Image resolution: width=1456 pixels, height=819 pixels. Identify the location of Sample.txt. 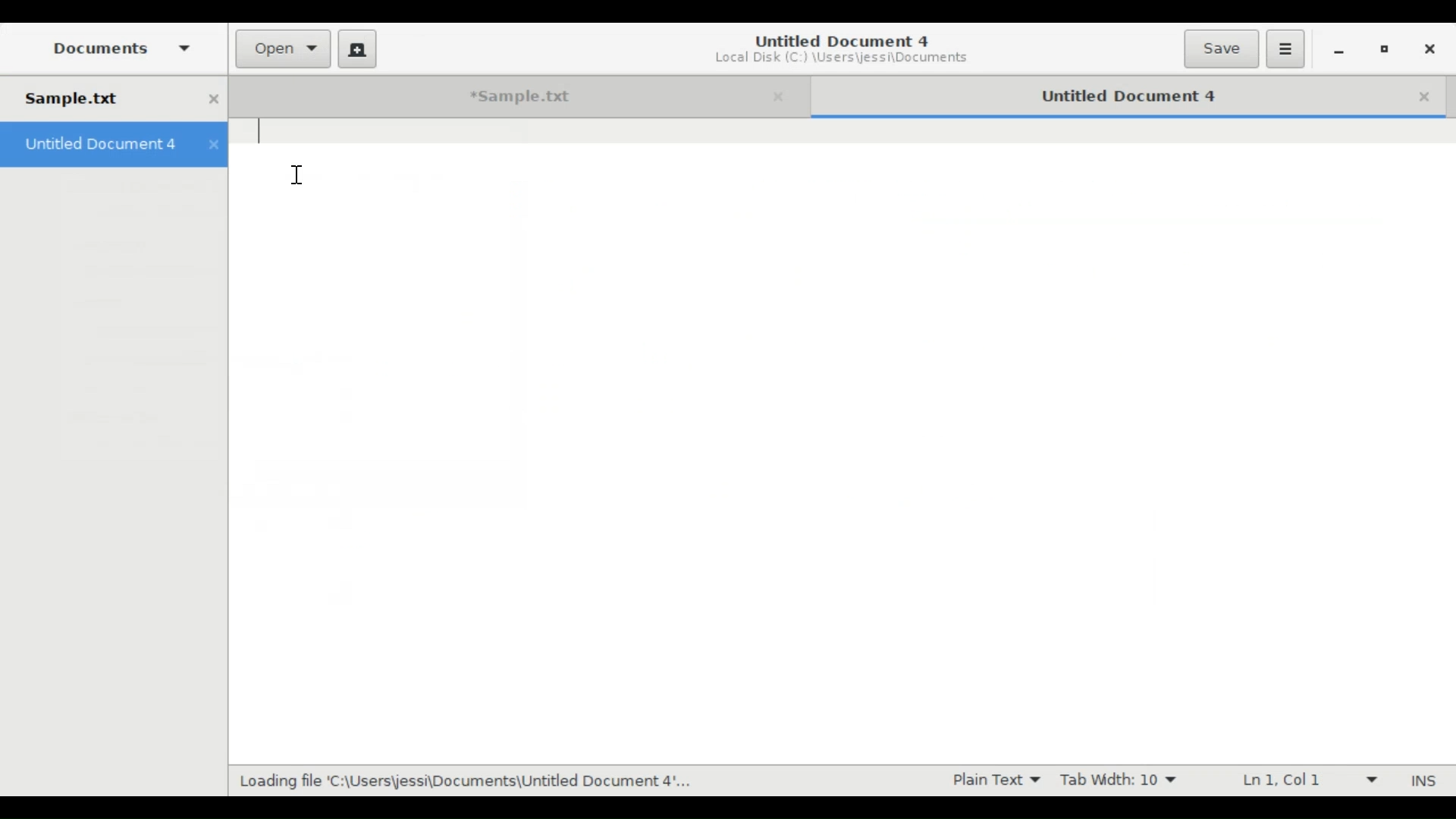
(113, 97).